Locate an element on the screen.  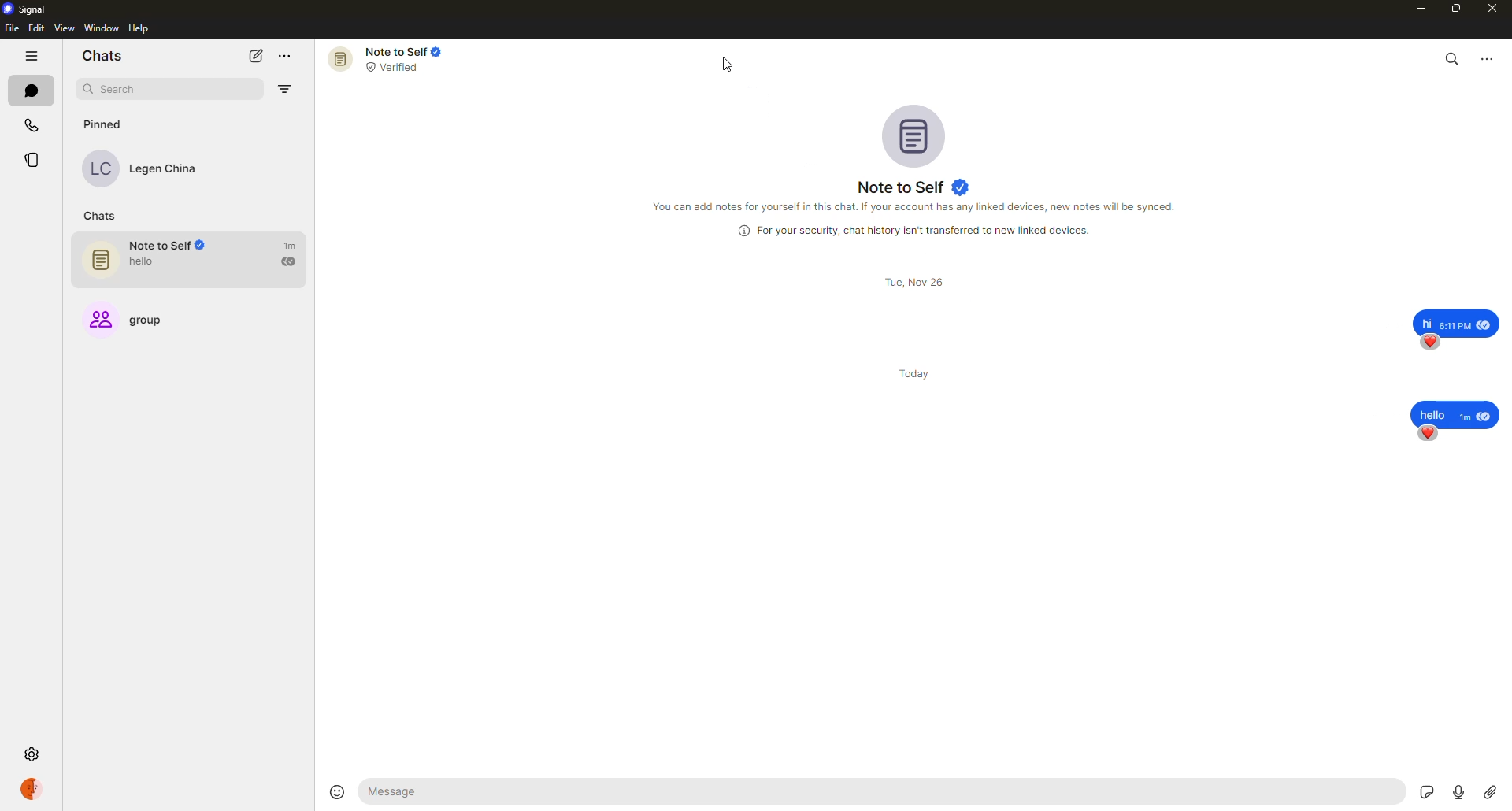
cursor is located at coordinates (728, 65).